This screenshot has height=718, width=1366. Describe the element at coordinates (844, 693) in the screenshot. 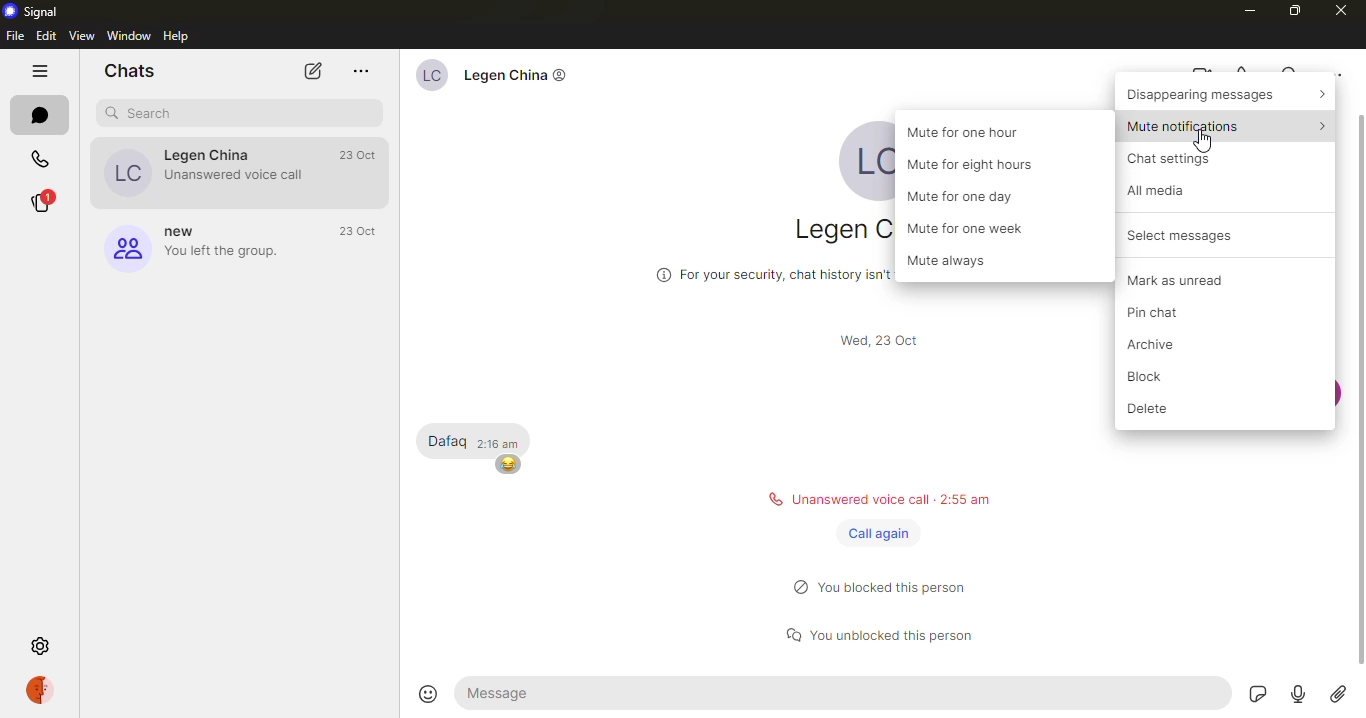

I see `message` at that location.